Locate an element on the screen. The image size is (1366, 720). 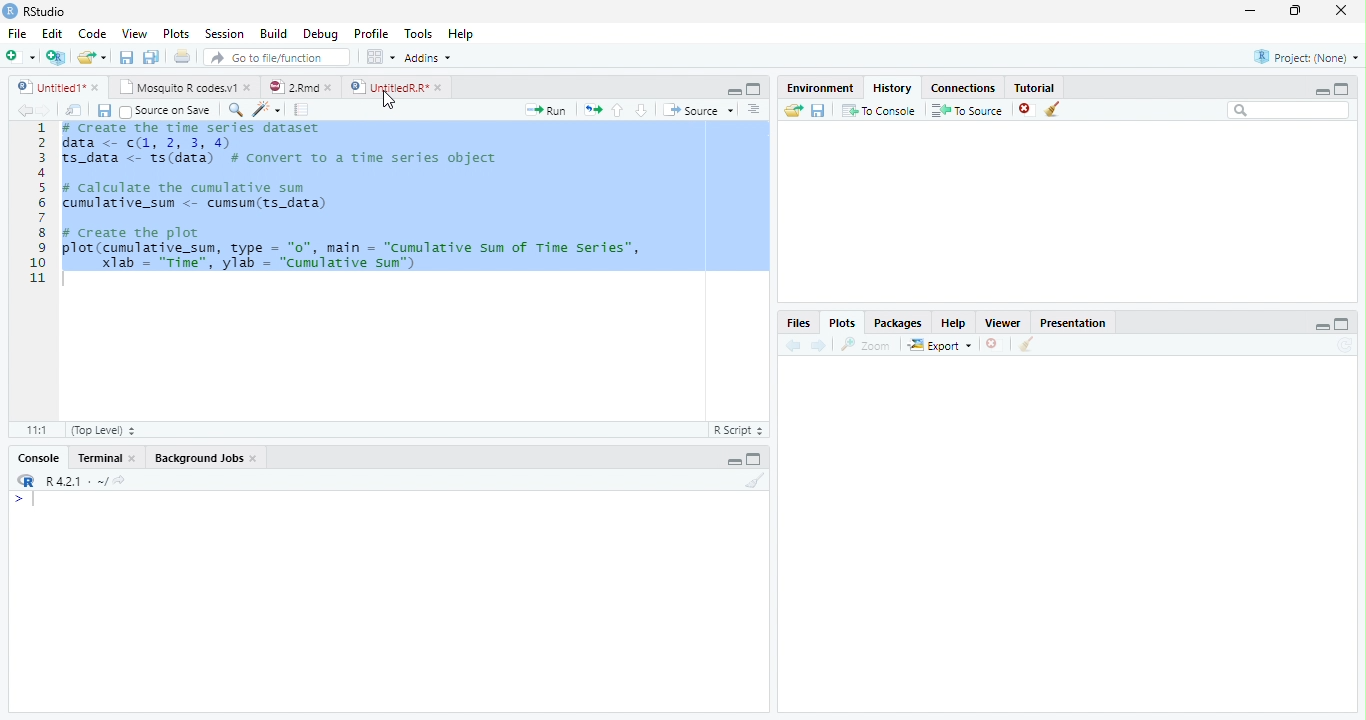
Maximize is located at coordinates (755, 91).